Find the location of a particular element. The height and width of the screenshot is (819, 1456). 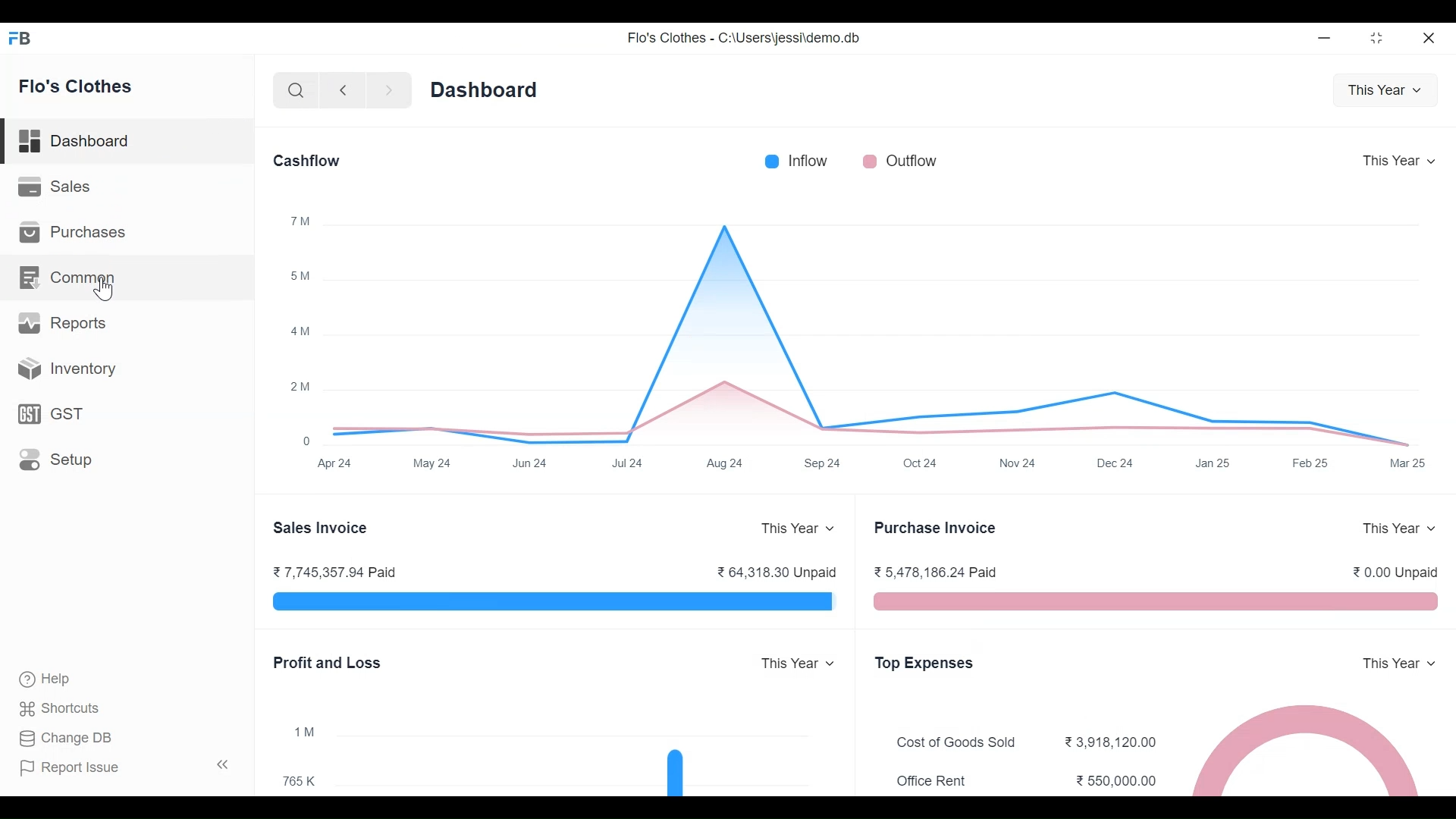

Inflow is located at coordinates (811, 160).